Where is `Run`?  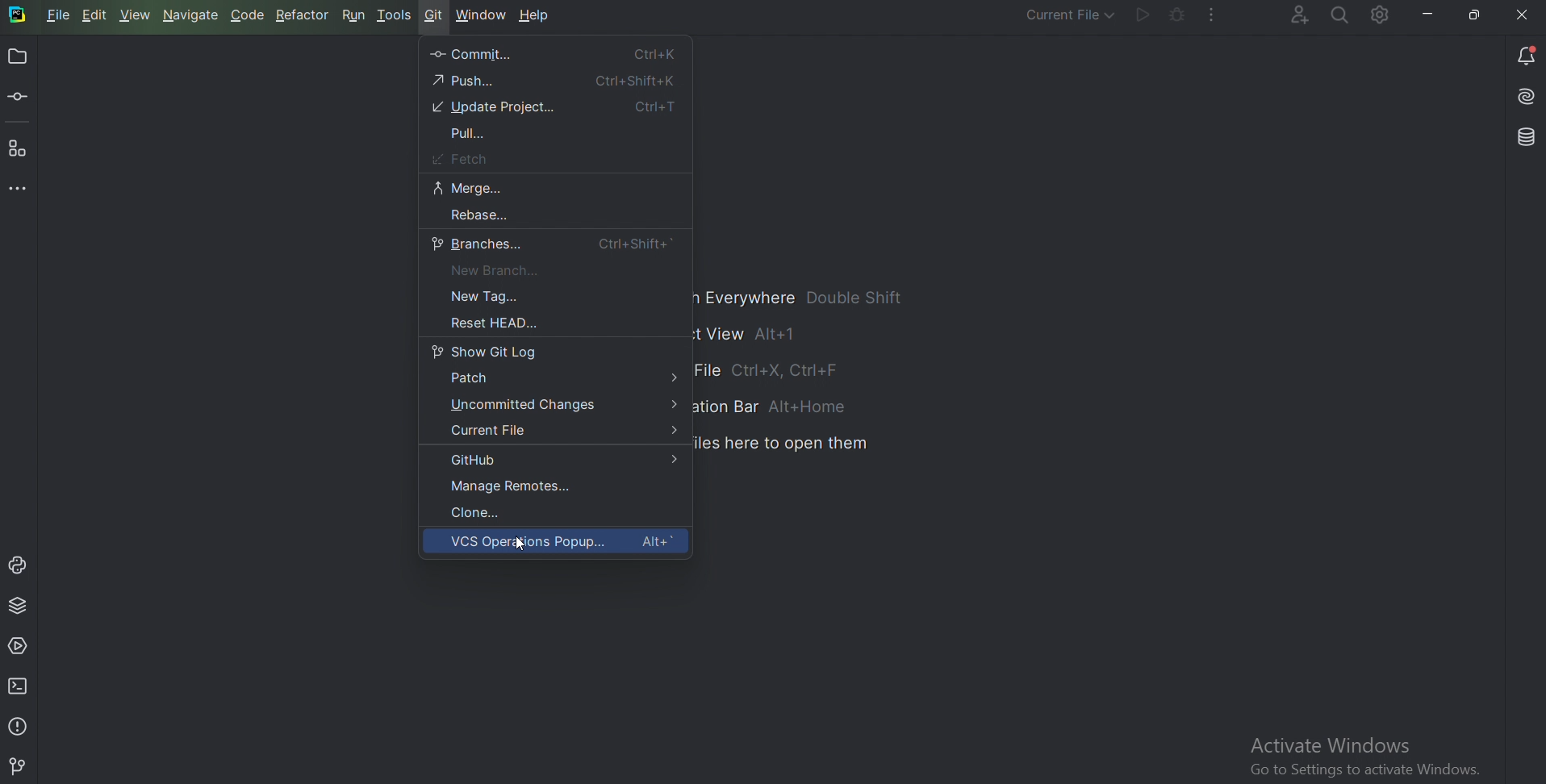 Run is located at coordinates (353, 15).